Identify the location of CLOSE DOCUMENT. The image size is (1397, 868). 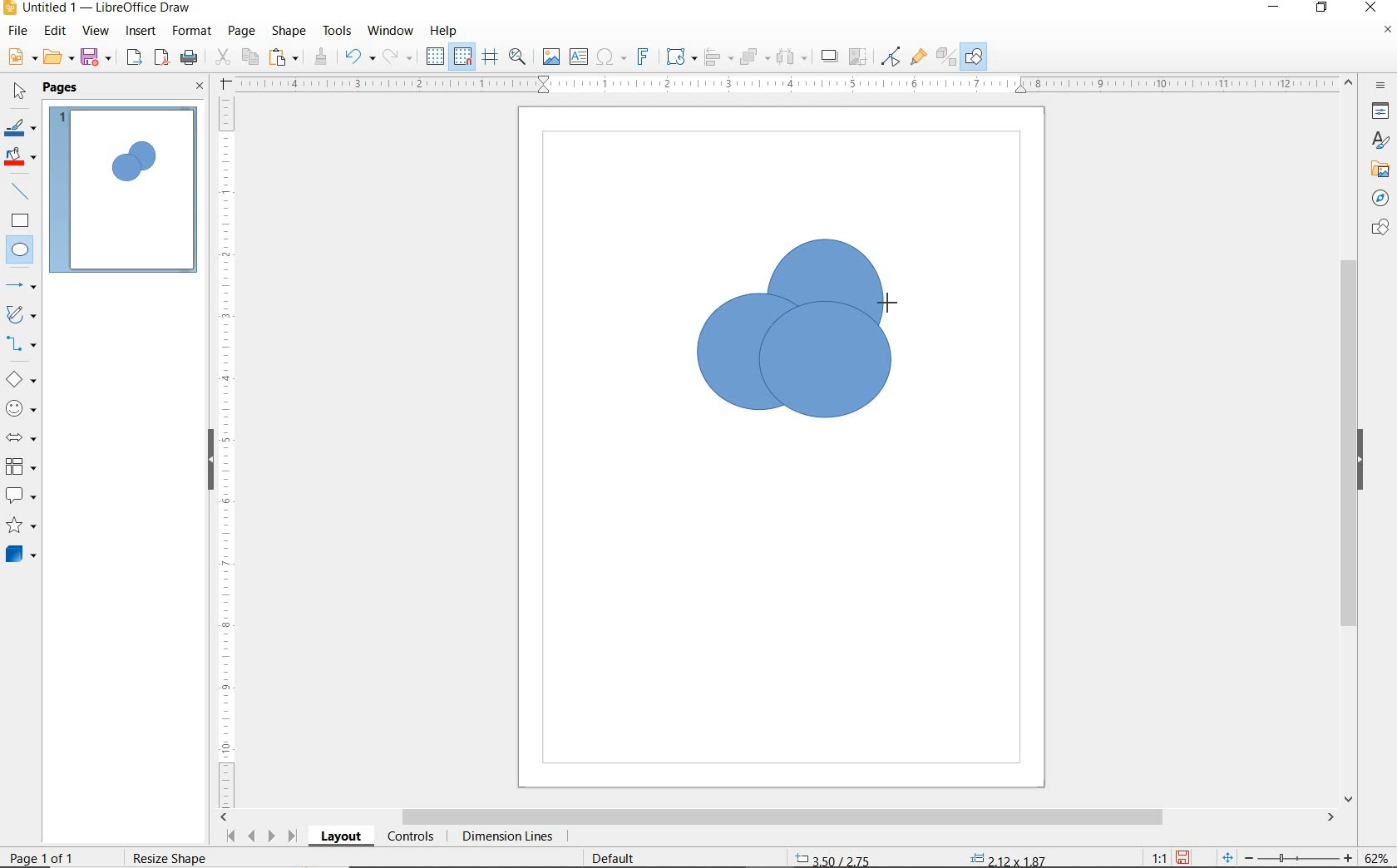
(1387, 32).